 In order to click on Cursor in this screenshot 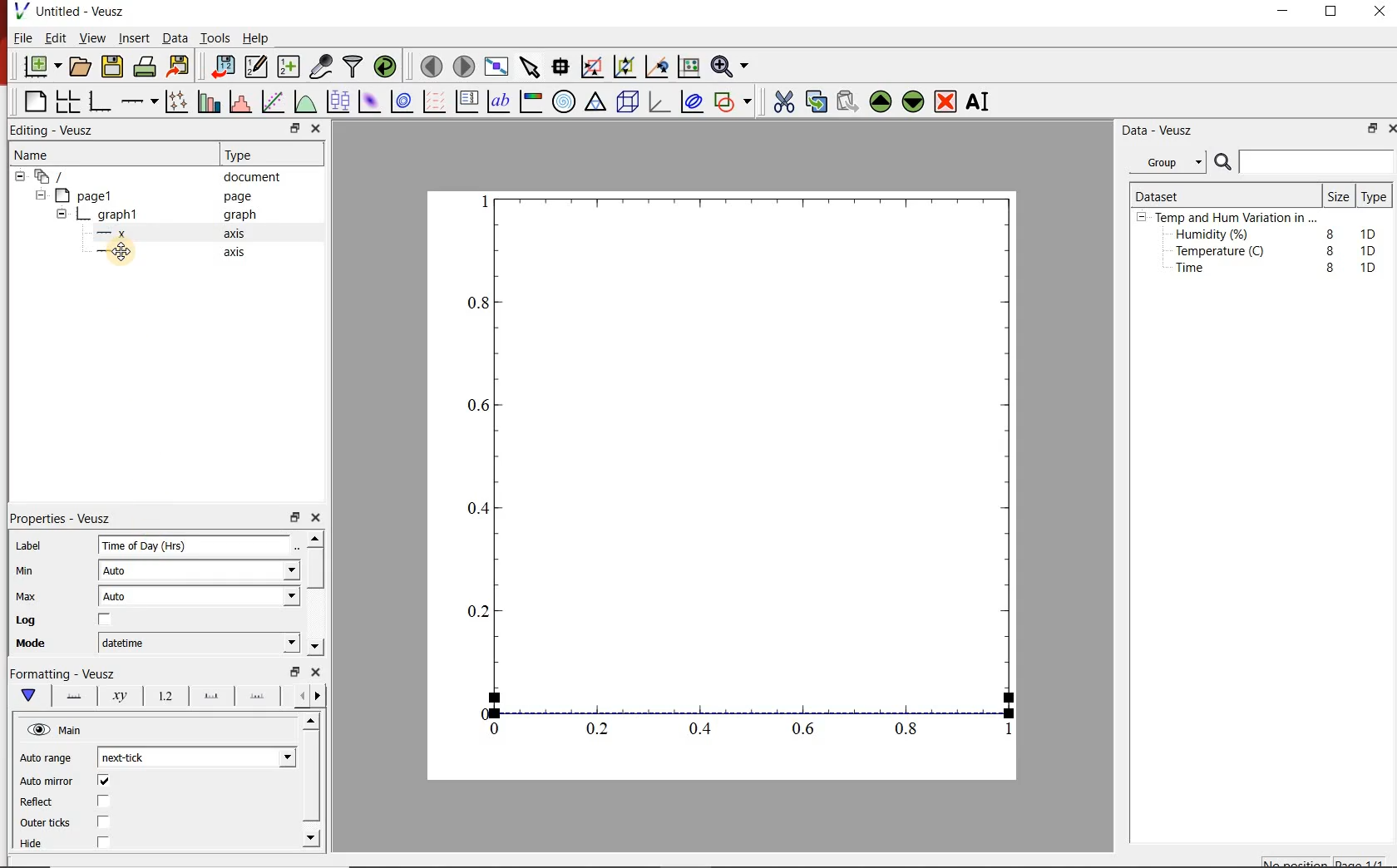, I will do `click(134, 255)`.